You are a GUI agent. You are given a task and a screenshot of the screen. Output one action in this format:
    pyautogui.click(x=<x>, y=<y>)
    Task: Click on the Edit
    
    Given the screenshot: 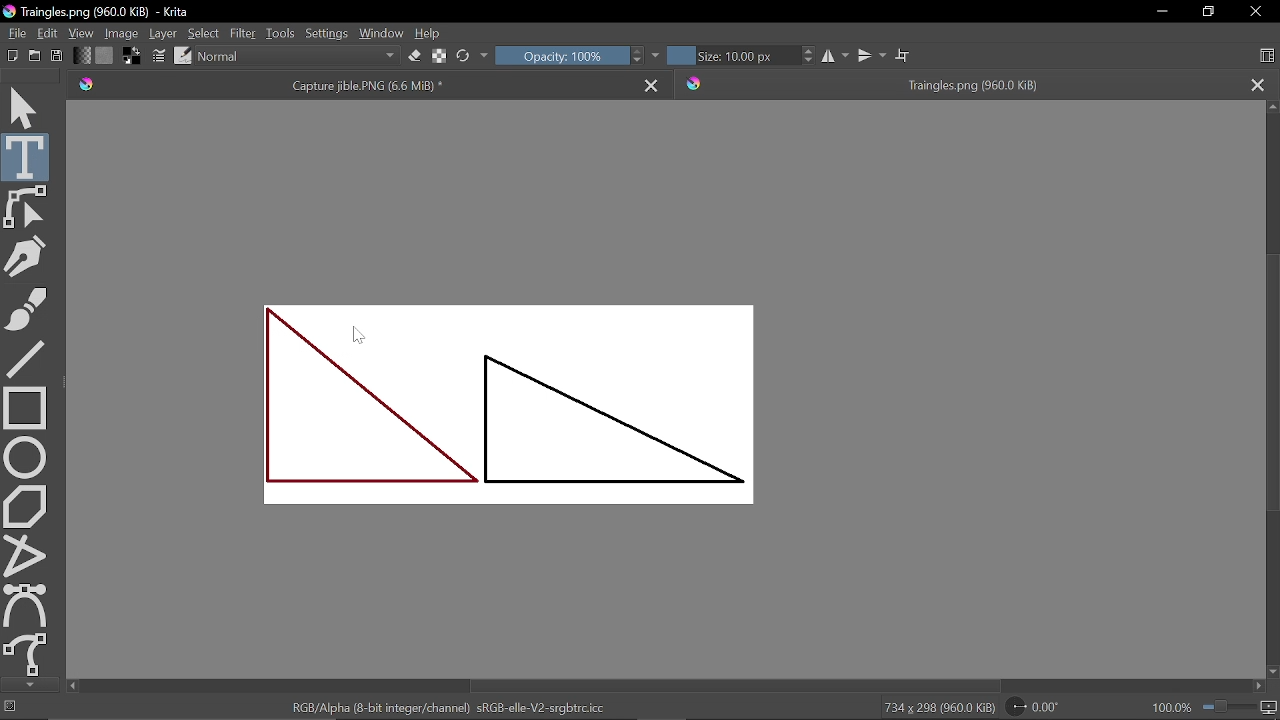 What is the action you would take?
    pyautogui.click(x=48, y=32)
    